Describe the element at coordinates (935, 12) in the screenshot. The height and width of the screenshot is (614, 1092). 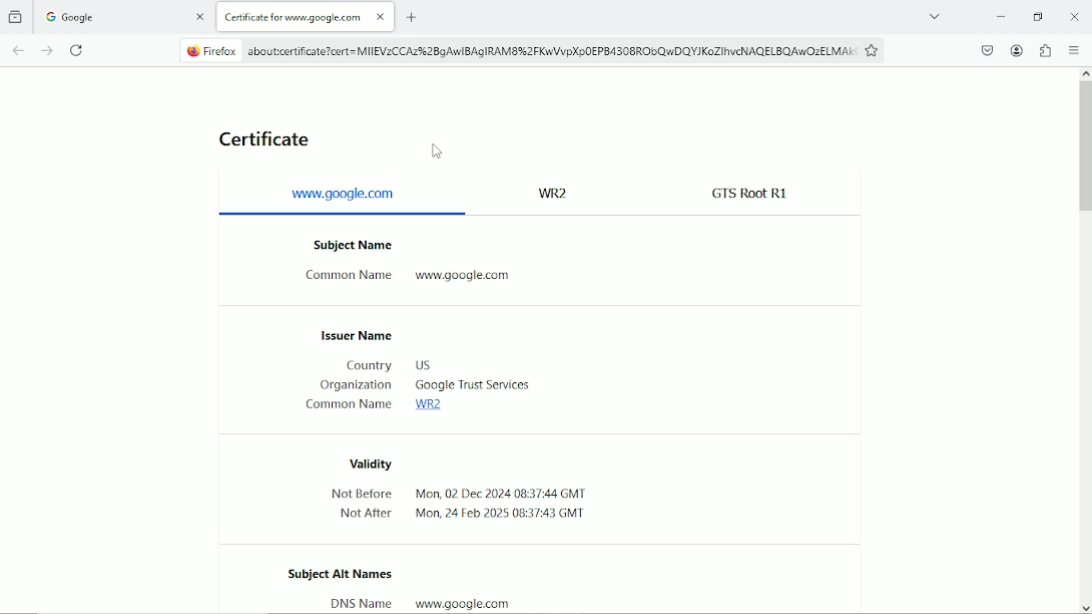
I see `List all tabs` at that location.